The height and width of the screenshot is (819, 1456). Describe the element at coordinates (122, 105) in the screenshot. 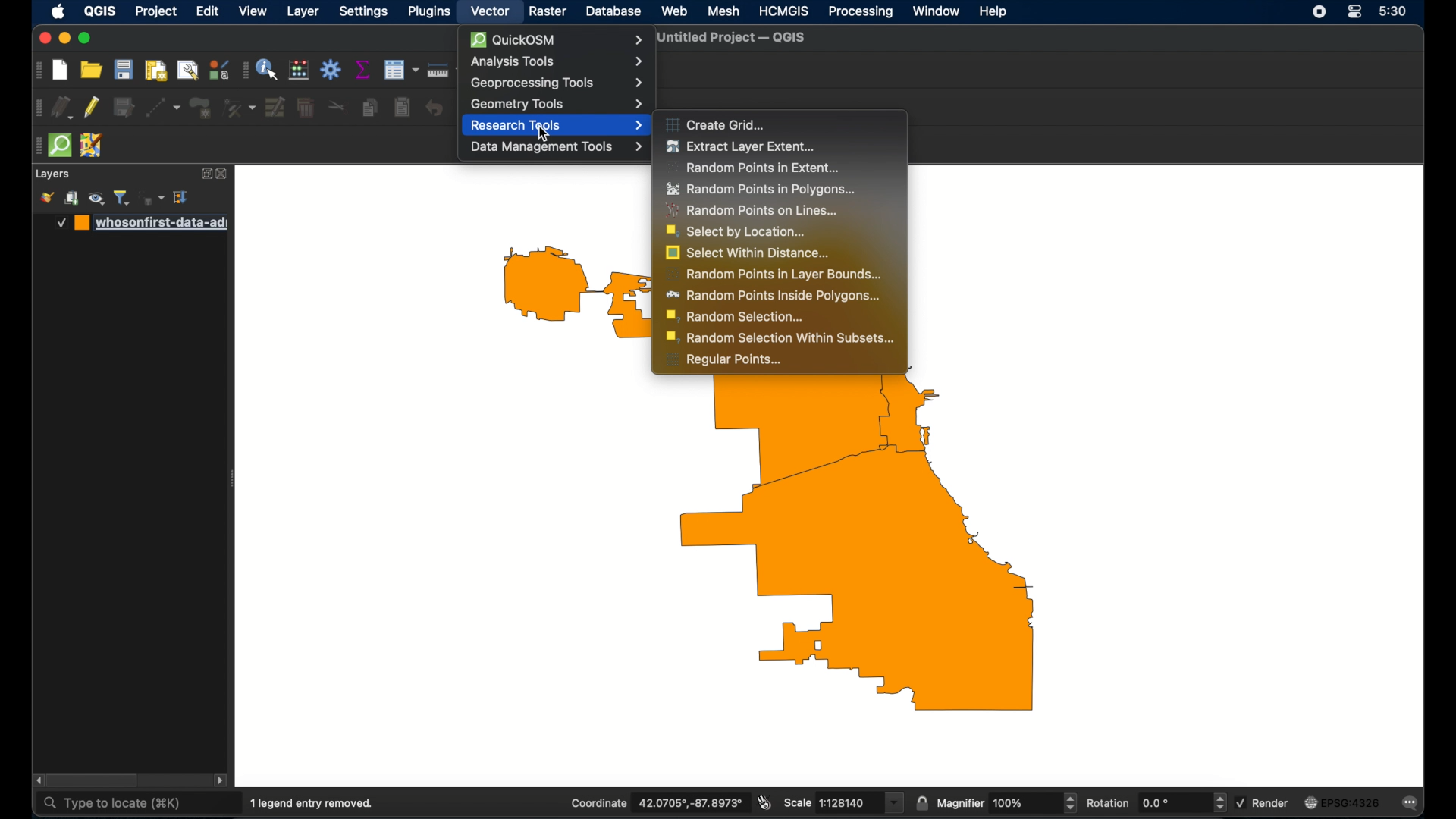

I see `save edits` at that location.